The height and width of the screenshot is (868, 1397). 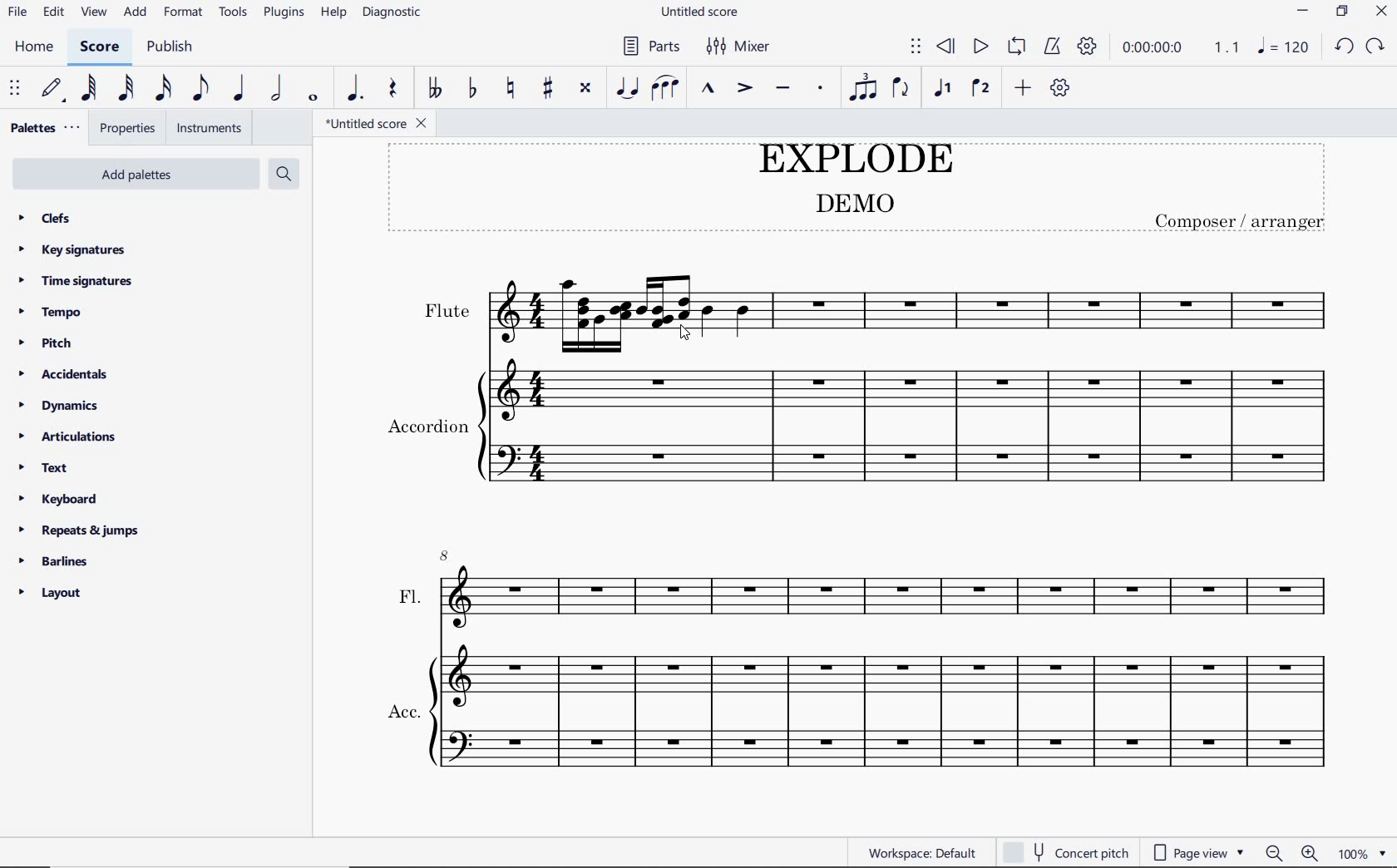 What do you see at coordinates (1292, 851) in the screenshot?
I see `zoom out or zoom in` at bounding box center [1292, 851].